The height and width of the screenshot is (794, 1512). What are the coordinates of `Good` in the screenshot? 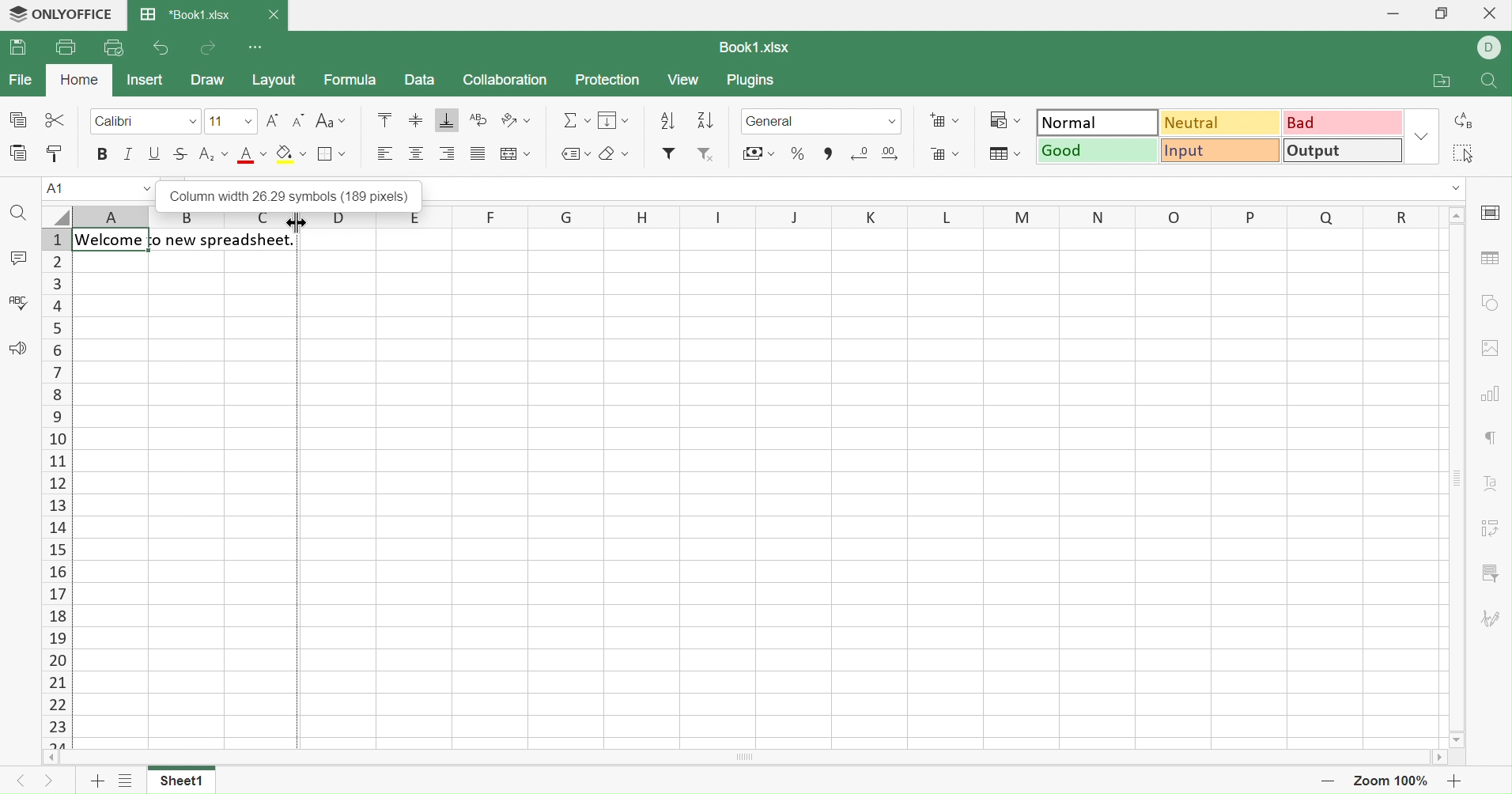 It's located at (1098, 151).